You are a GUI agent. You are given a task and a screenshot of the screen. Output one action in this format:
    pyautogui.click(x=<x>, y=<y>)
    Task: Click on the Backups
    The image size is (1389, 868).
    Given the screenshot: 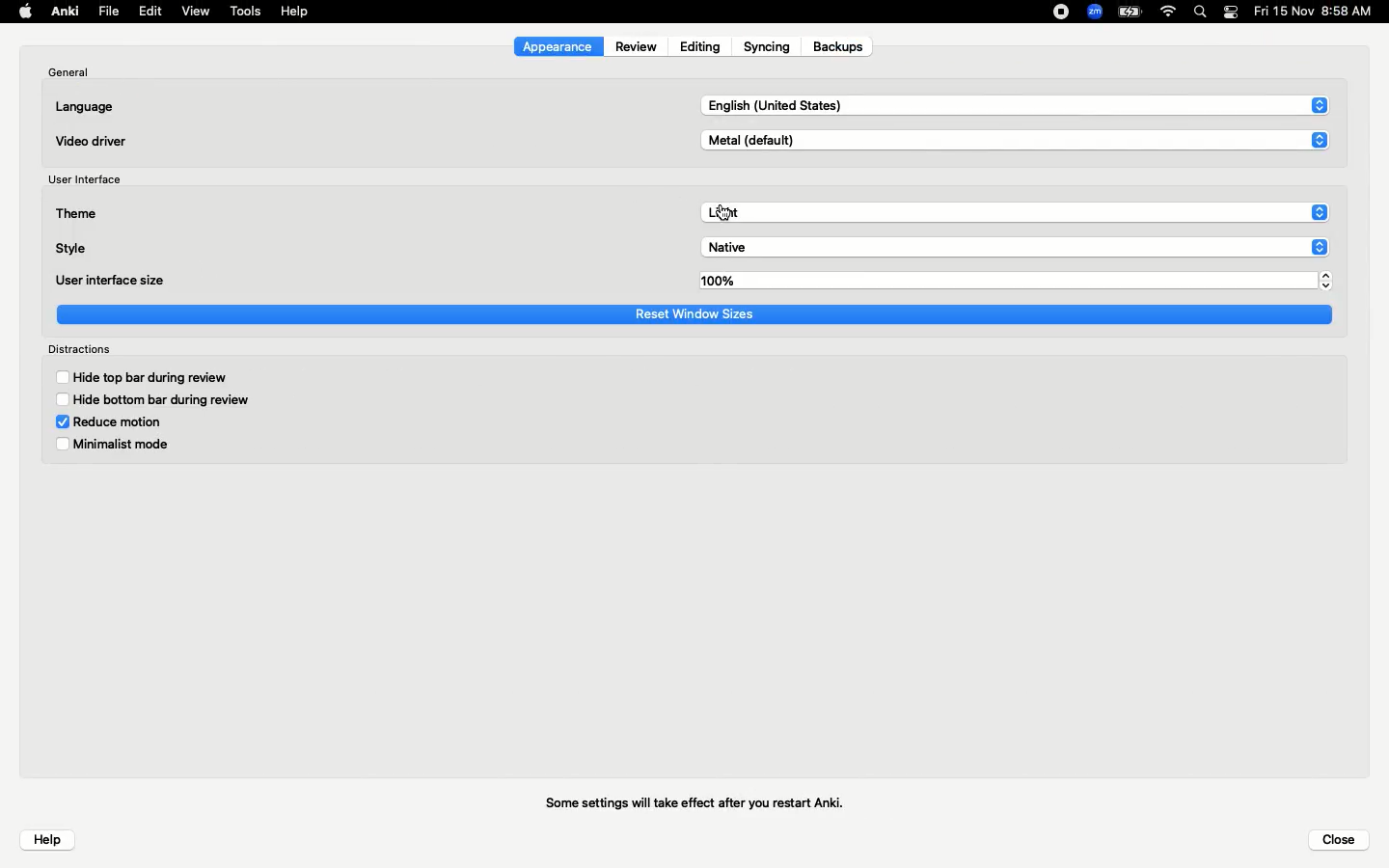 What is the action you would take?
    pyautogui.click(x=836, y=46)
    